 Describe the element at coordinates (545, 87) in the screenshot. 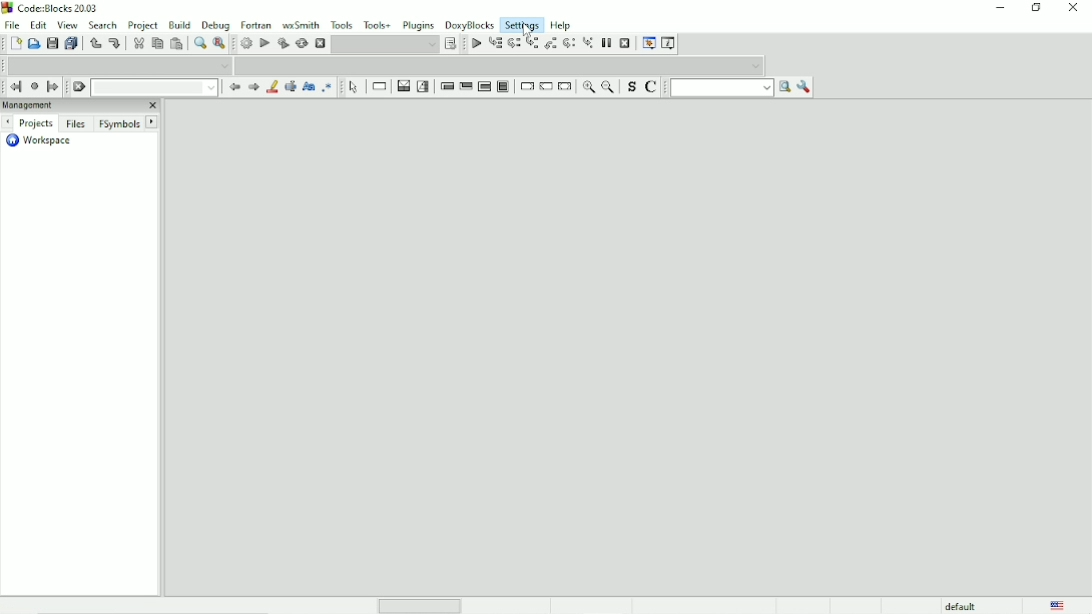

I see `Continue instruction` at that location.